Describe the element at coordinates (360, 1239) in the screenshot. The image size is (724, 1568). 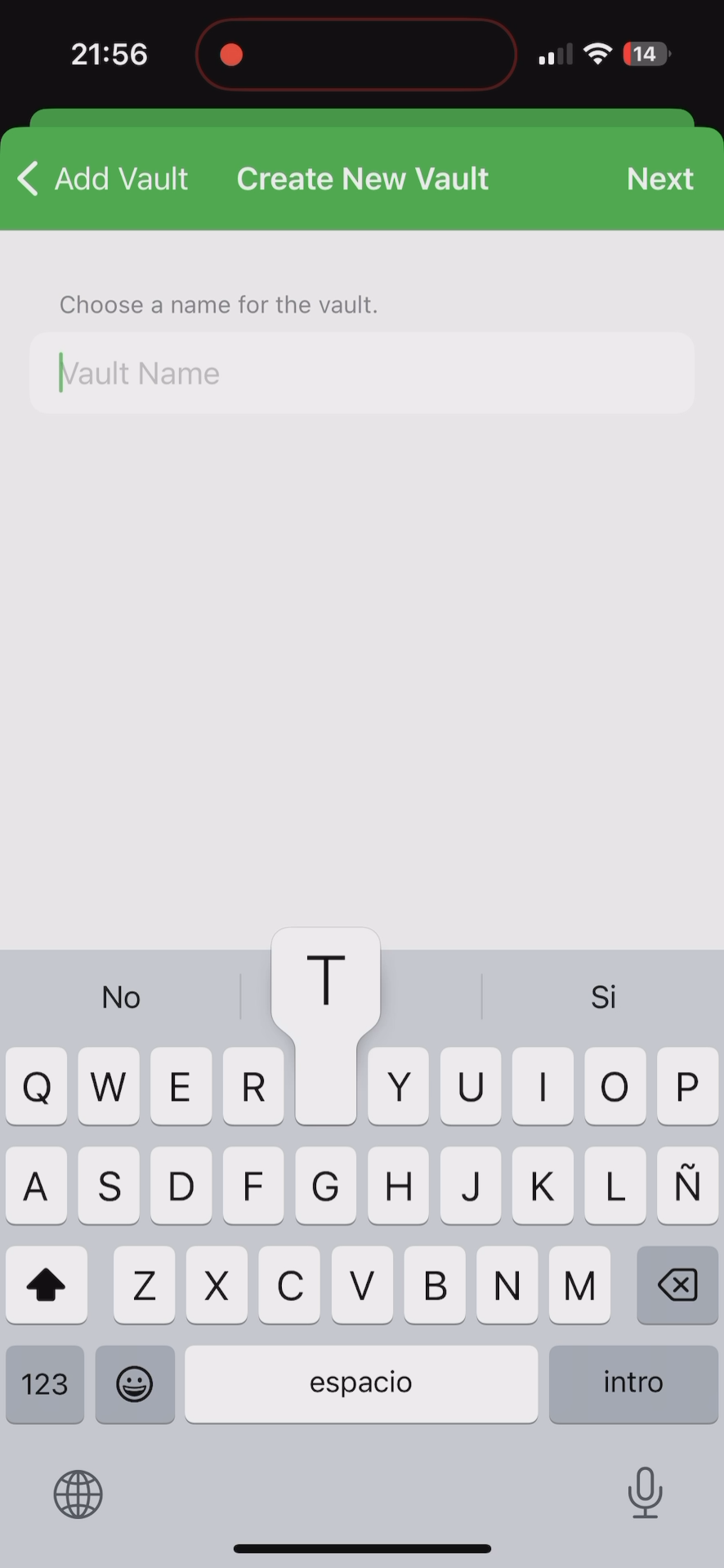
I see `keyboard` at that location.